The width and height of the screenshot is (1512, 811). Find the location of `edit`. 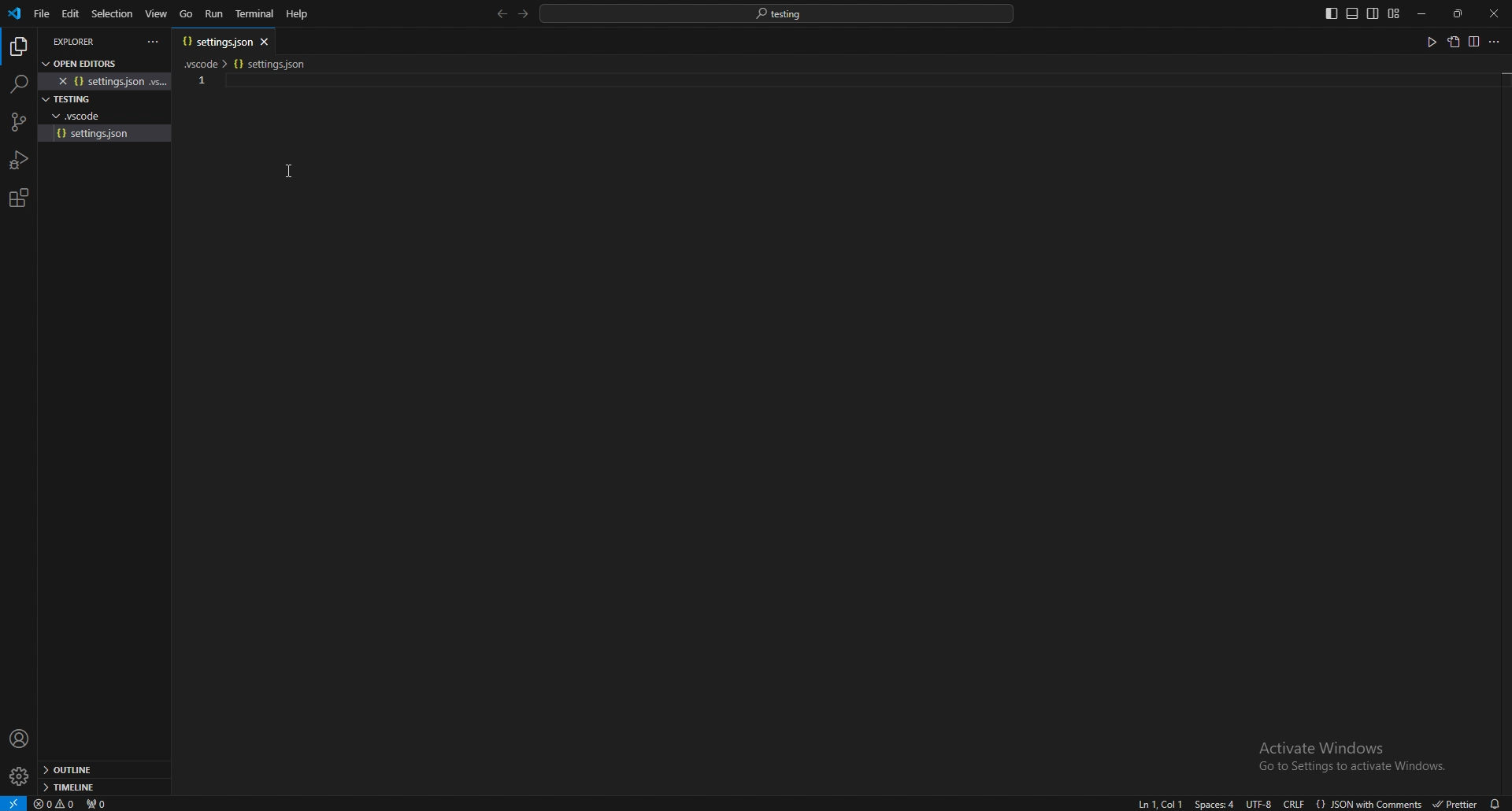

edit is located at coordinates (69, 14).